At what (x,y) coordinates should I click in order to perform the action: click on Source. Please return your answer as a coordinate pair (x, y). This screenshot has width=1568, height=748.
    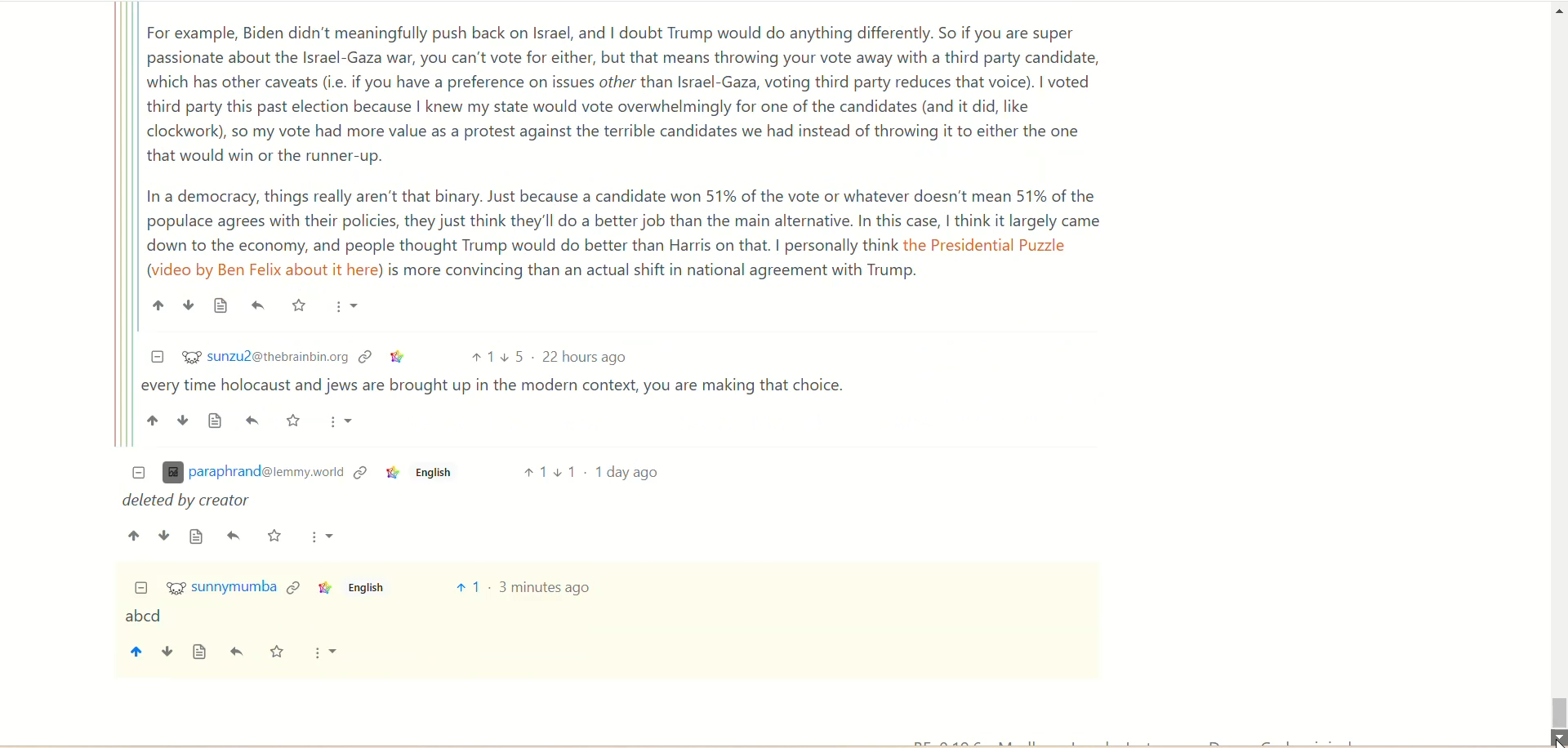
    Looking at the image, I should click on (214, 420).